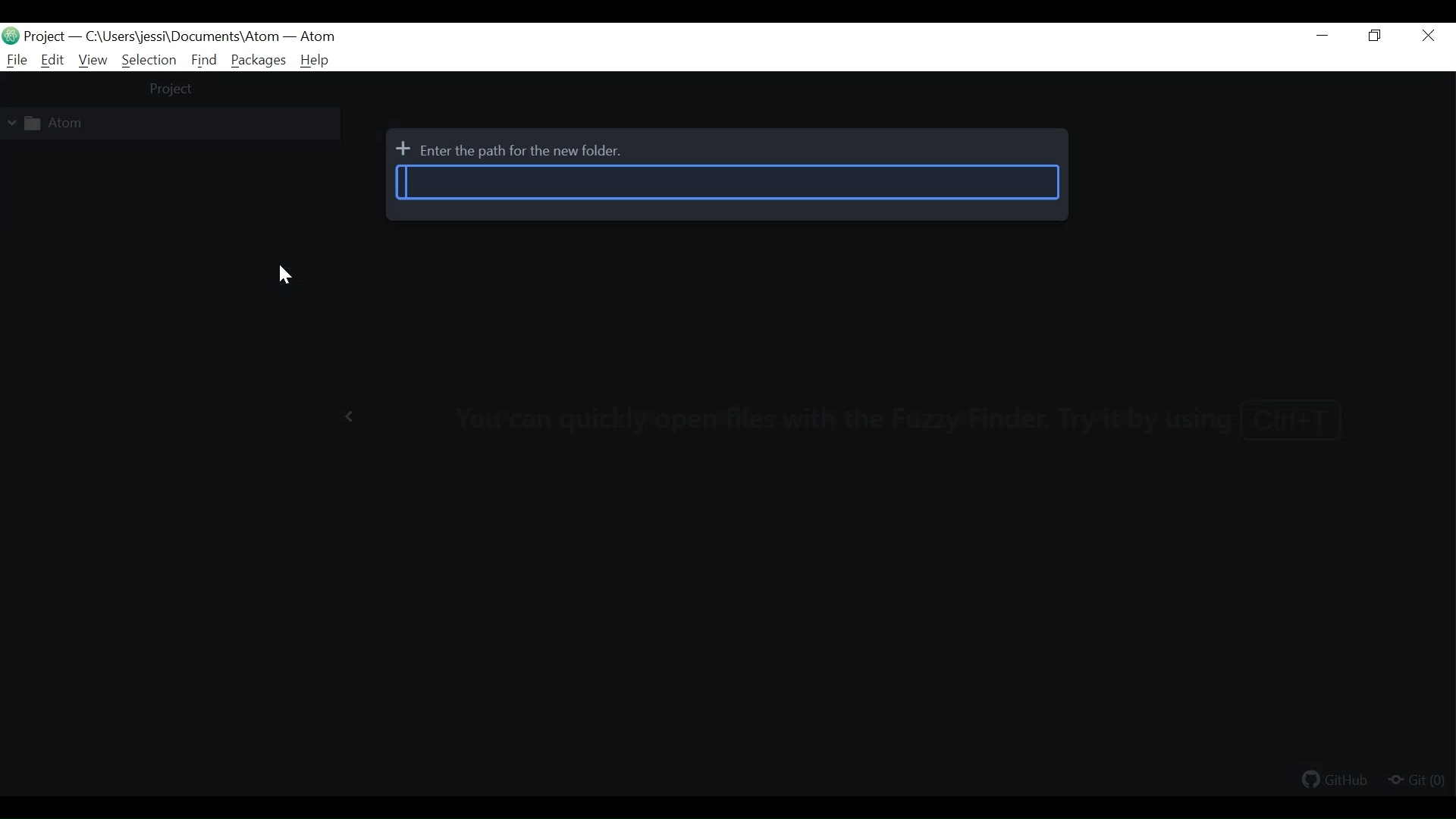 This screenshot has height=819, width=1456. Describe the element at coordinates (11, 35) in the screenshot. I see `Atom Desktop Icon` at that location.